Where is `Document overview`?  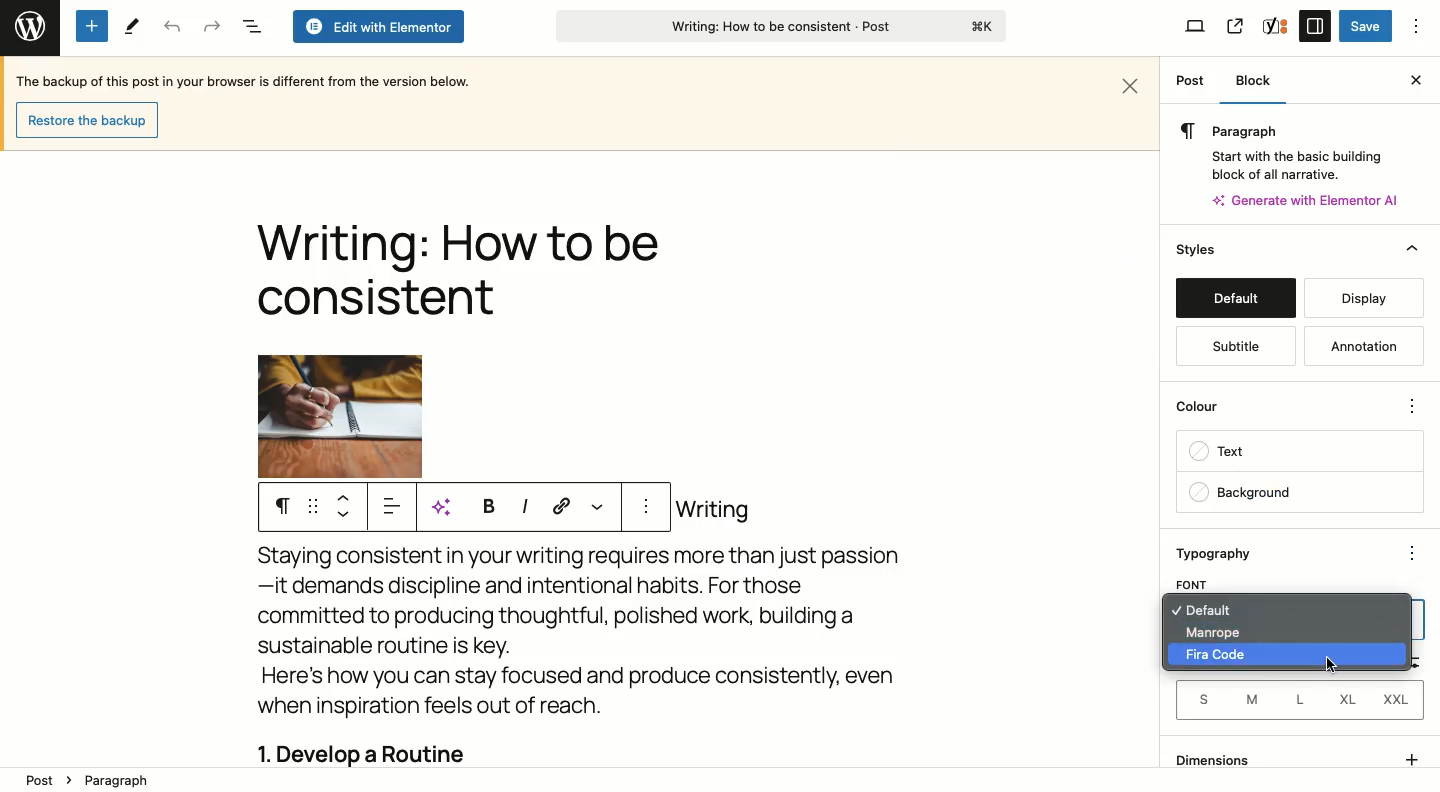
Document overview is located at coordinates (251, 27).